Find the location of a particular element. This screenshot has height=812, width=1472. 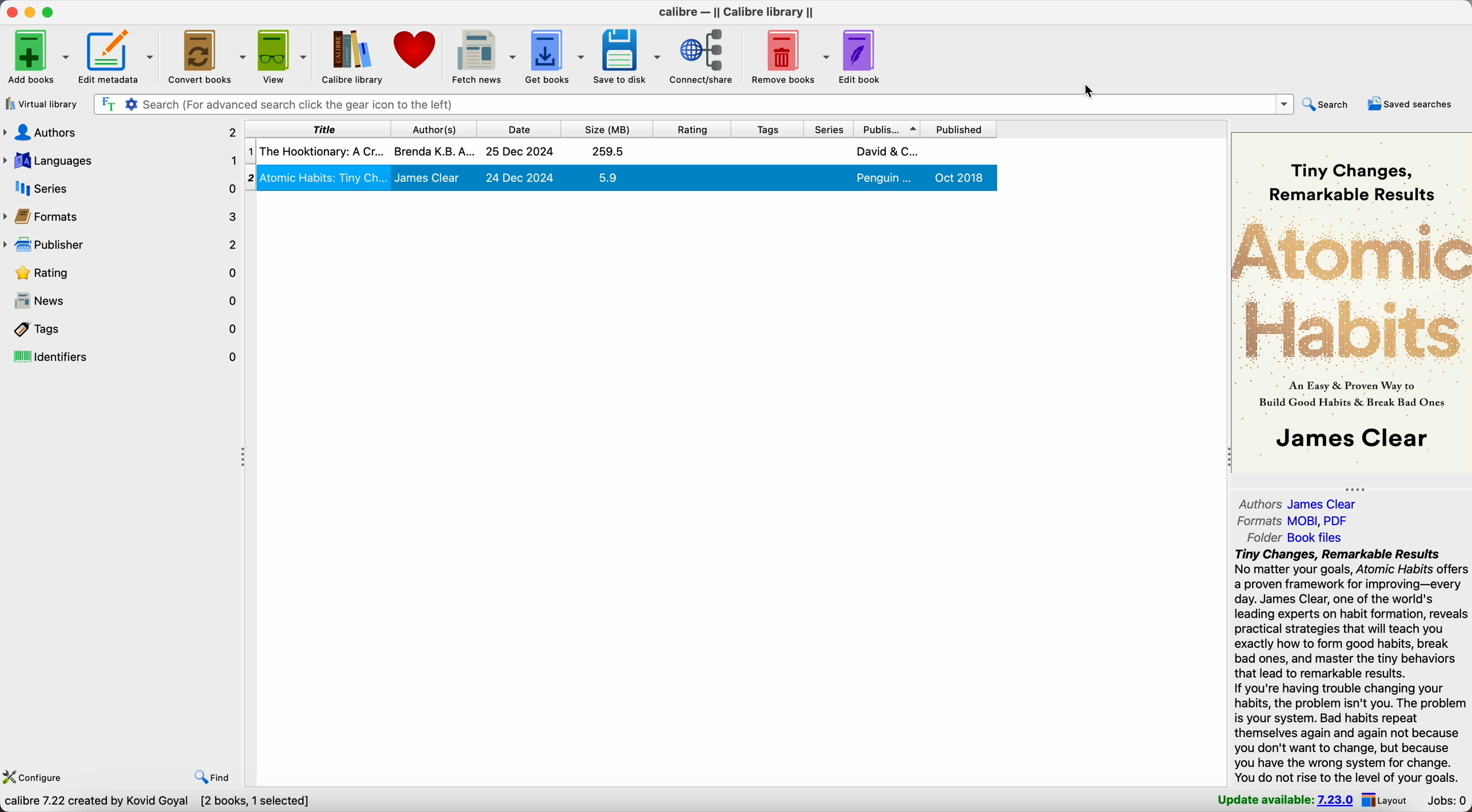

folder is located at coordinates (1290, 538).